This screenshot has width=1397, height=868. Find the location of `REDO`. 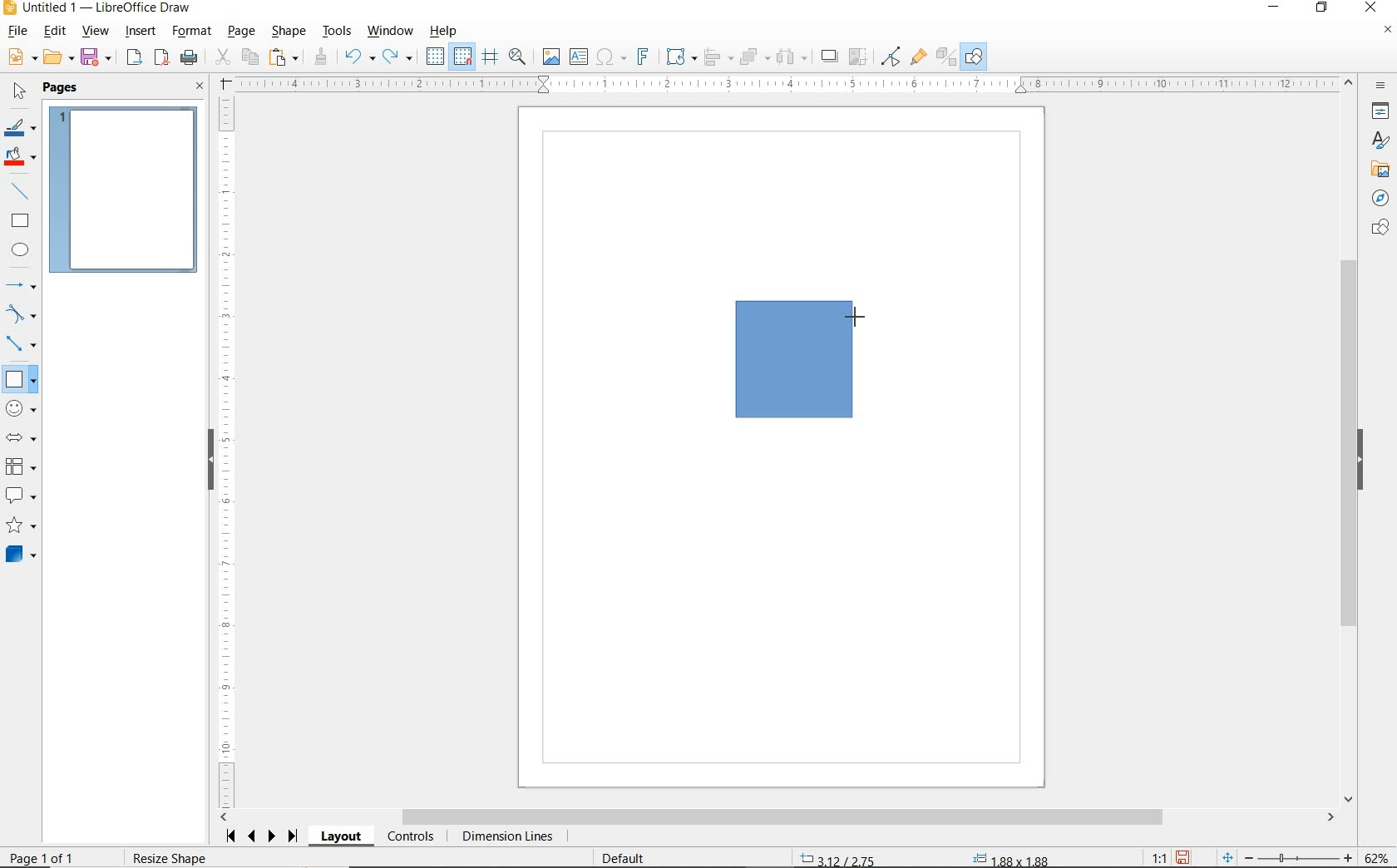

REDO is located at coordinates (402, 57).